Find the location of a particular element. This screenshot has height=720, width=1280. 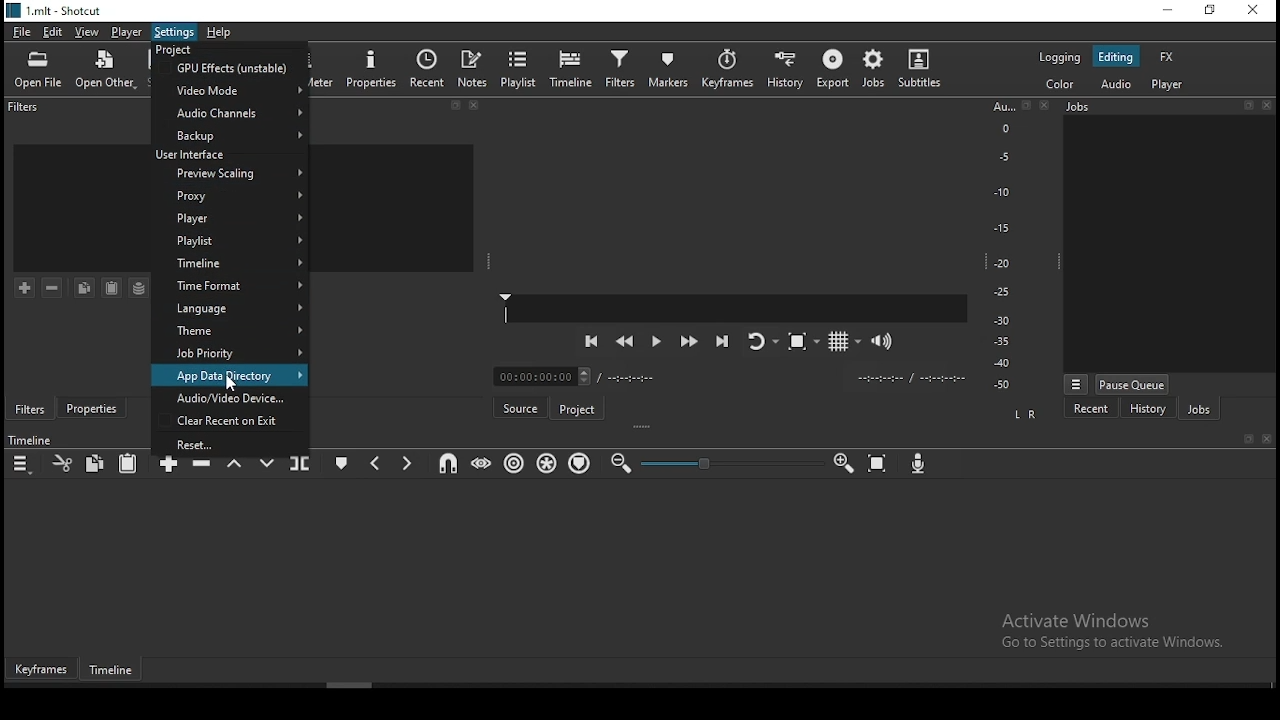

restore is located at coordinates (1209, 11).